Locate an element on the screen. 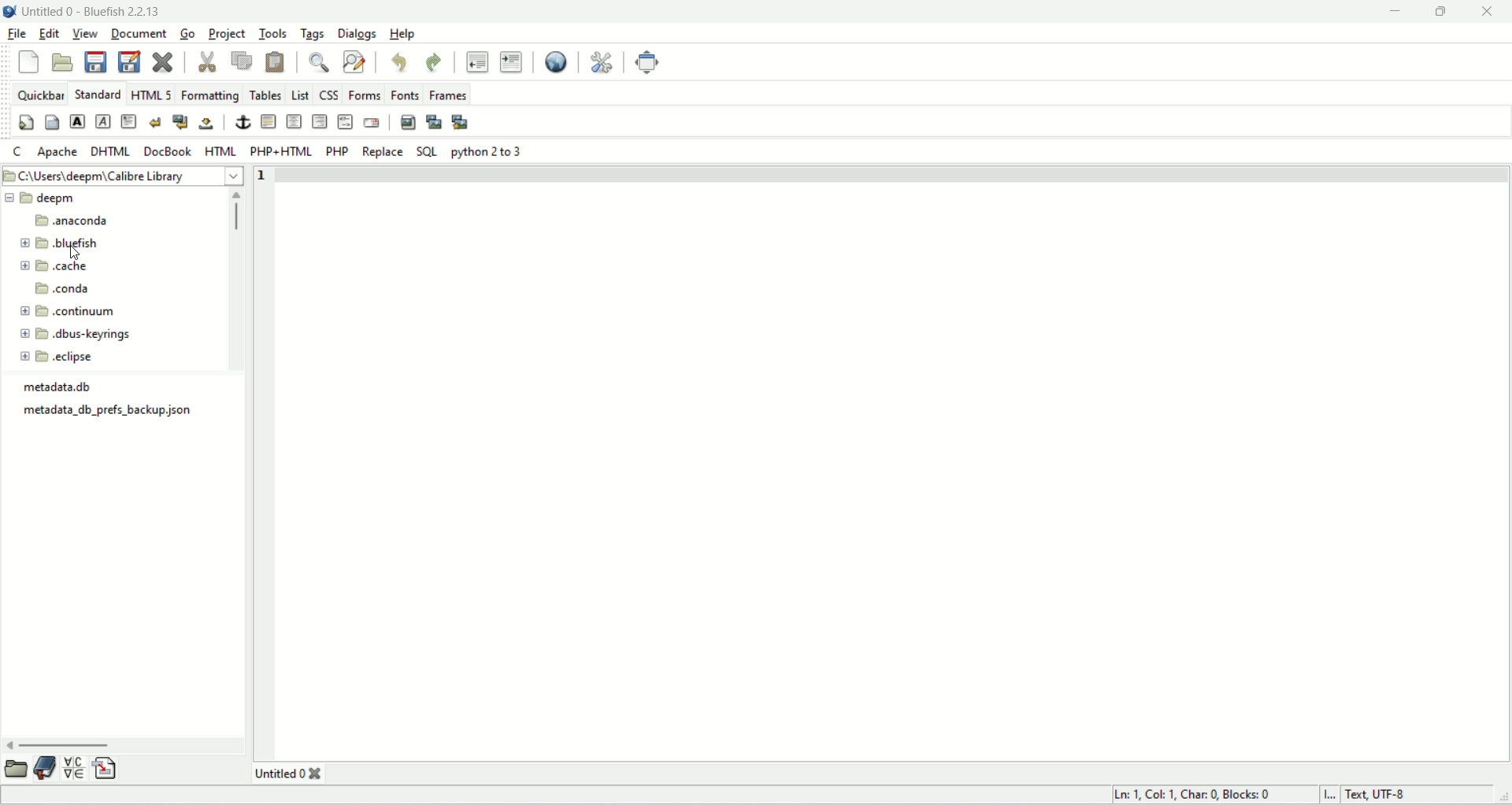 This screenshot has height=805, width=1512. right justify is located at coordinates (319, 123).